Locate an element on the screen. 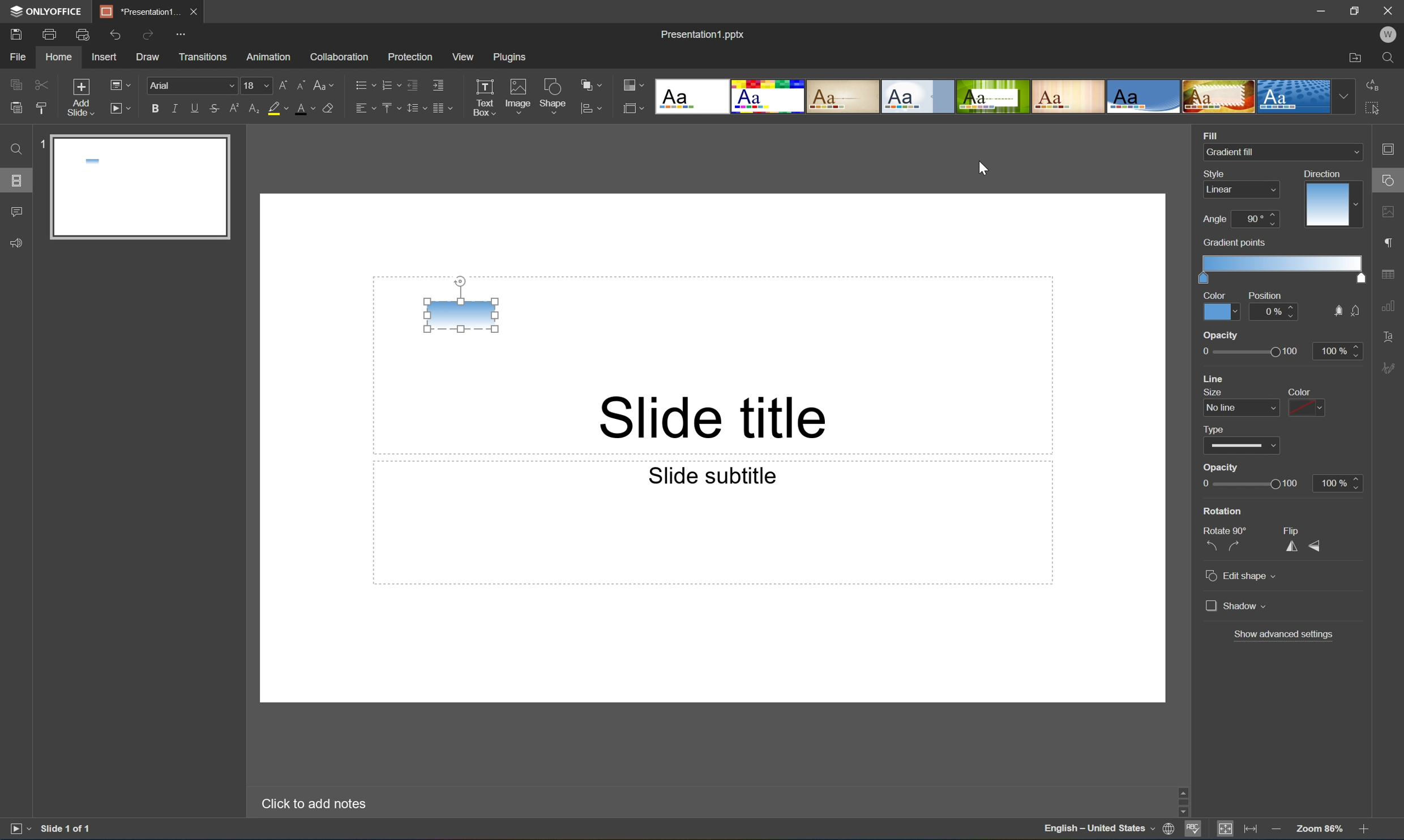 The width and height of the screenshot is (1404, 840). View is located at coordinates (464, 57).